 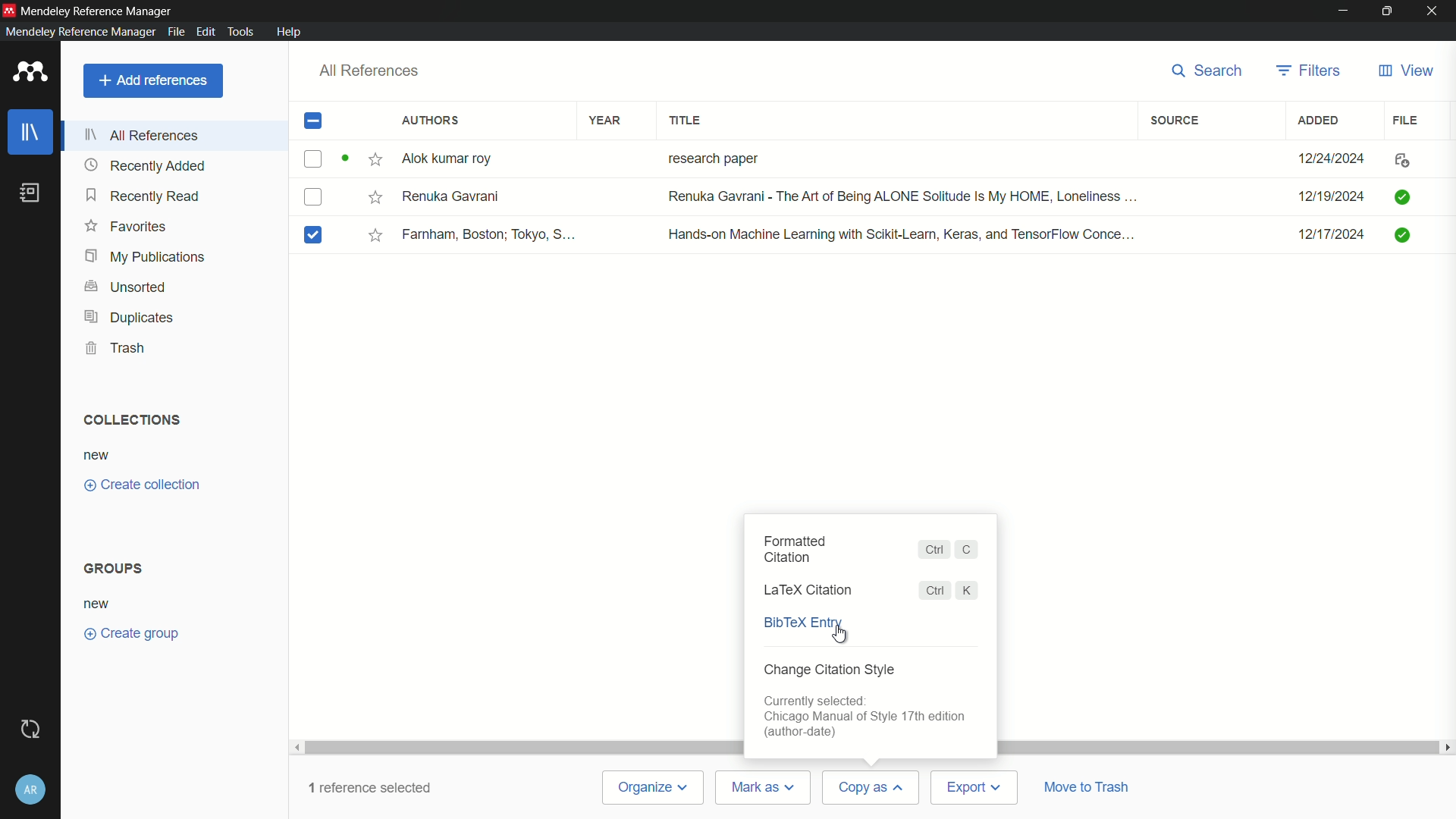 What do you see at coordinates (33, 727) in the screenshot?
I see `sync` at bounding box center [33, 727].